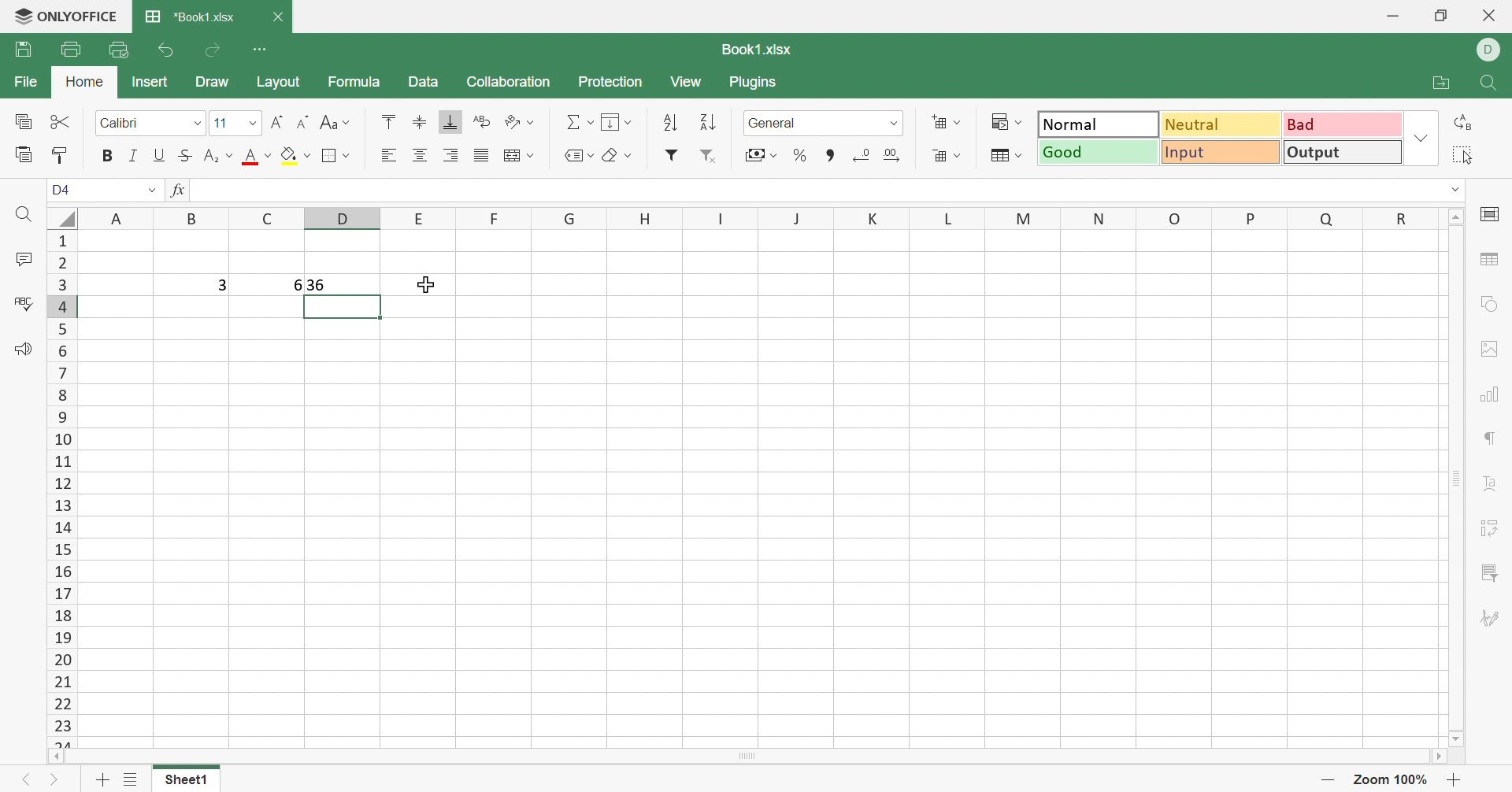  I want to click on Subscript, so click(220, 157).